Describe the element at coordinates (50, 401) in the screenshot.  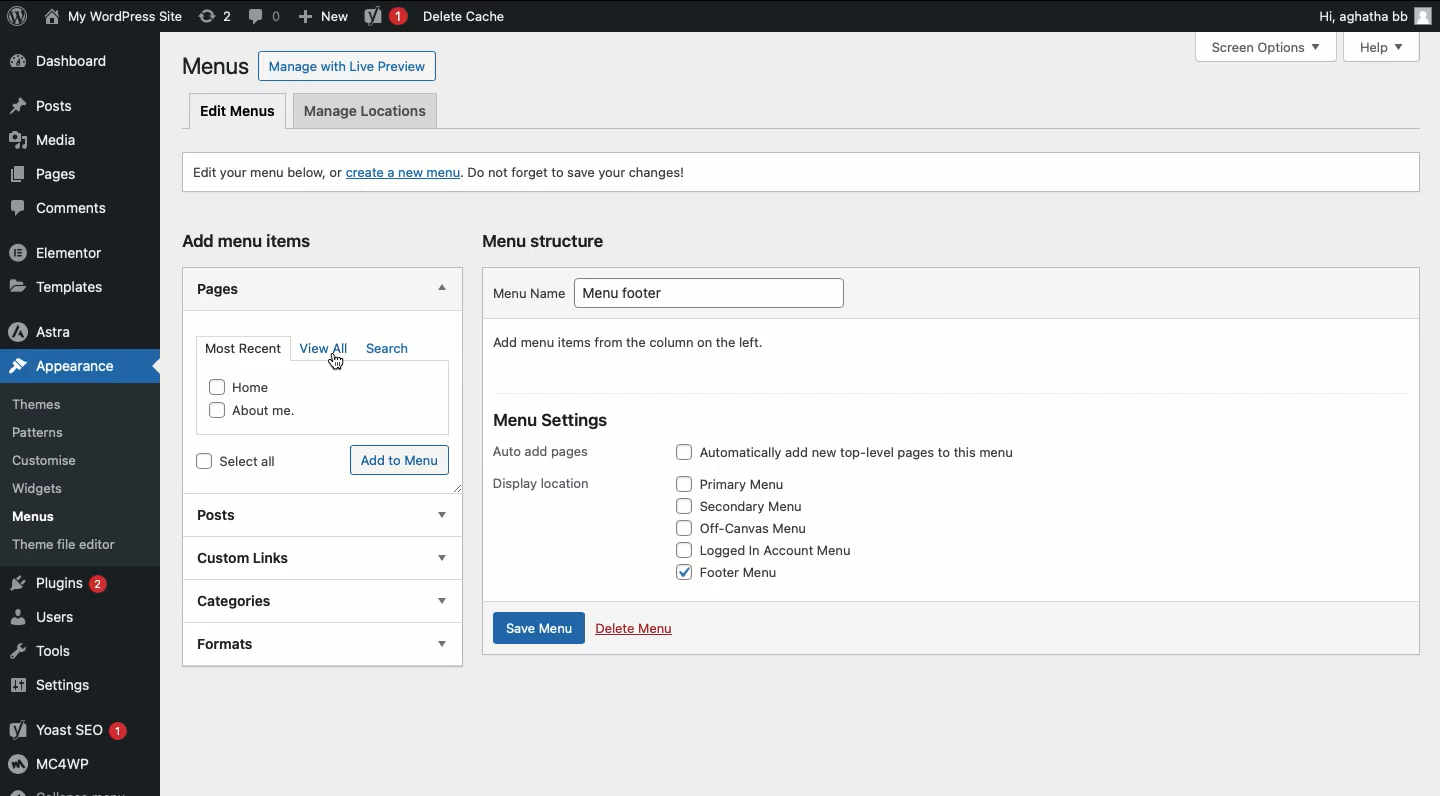
I see `Themes` at that location.